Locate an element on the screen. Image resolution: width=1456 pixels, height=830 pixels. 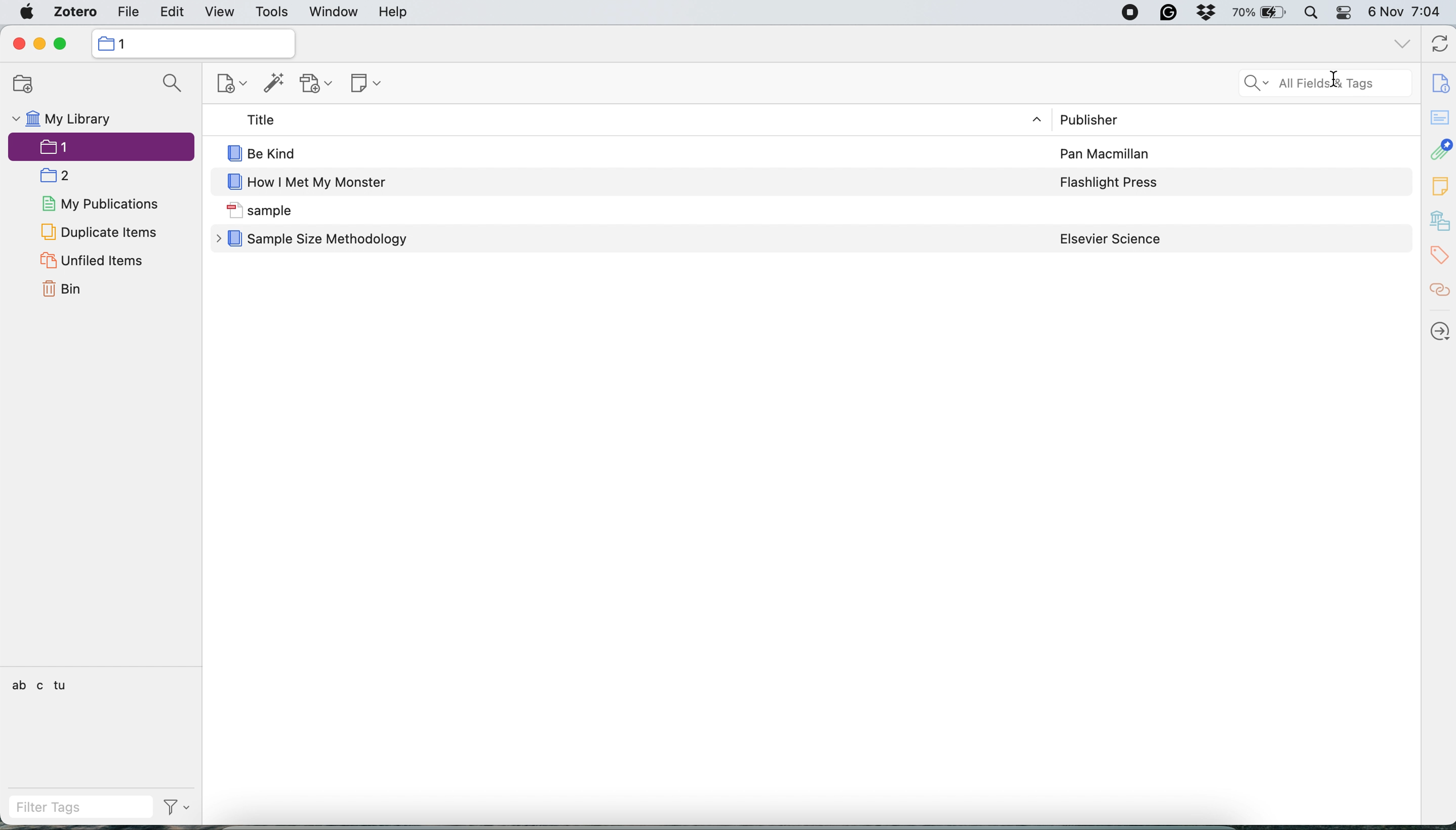
system logo is located at coordinates (24, 13).